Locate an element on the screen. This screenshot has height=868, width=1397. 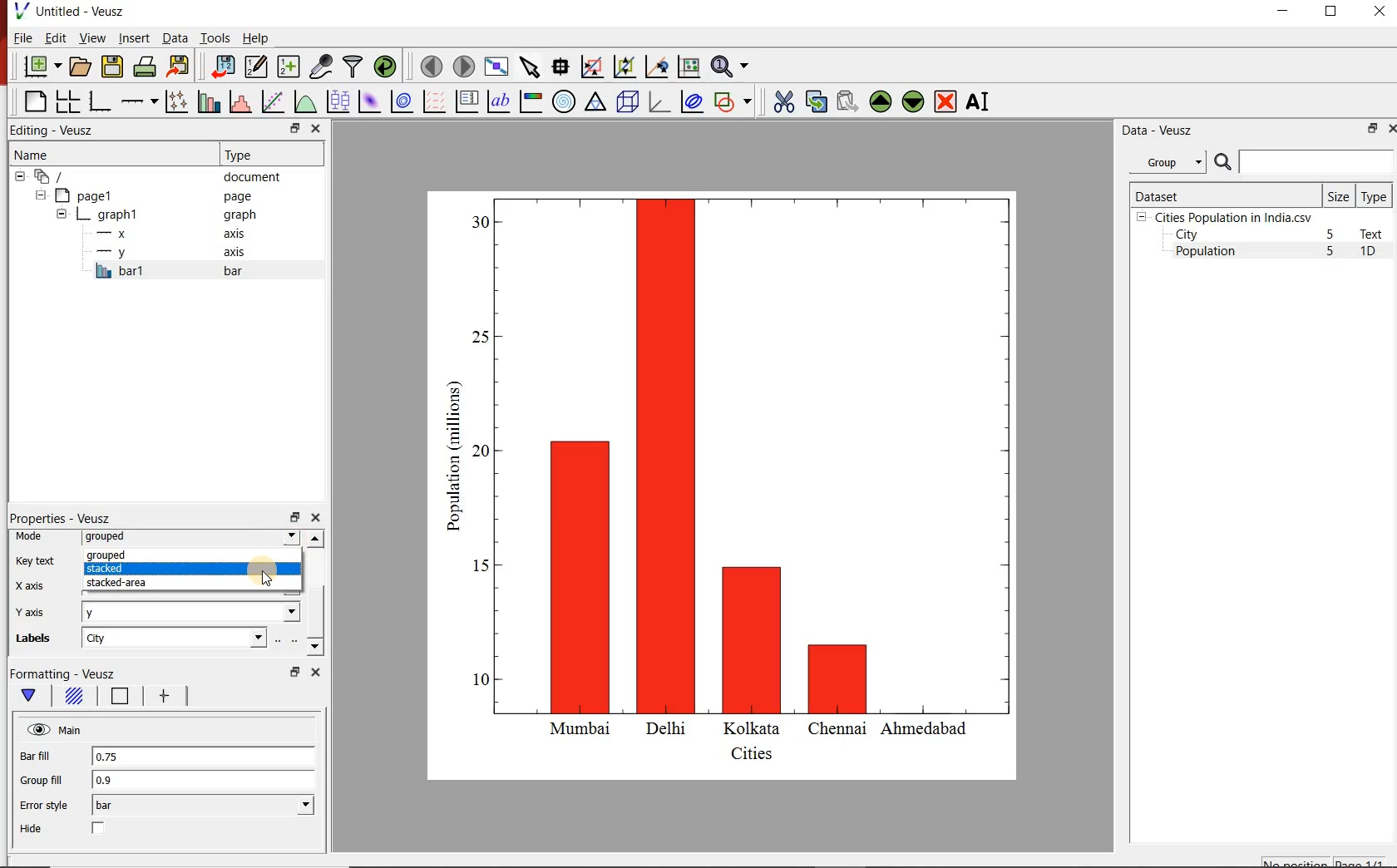
Group fill is located at coordinates (48, 780).